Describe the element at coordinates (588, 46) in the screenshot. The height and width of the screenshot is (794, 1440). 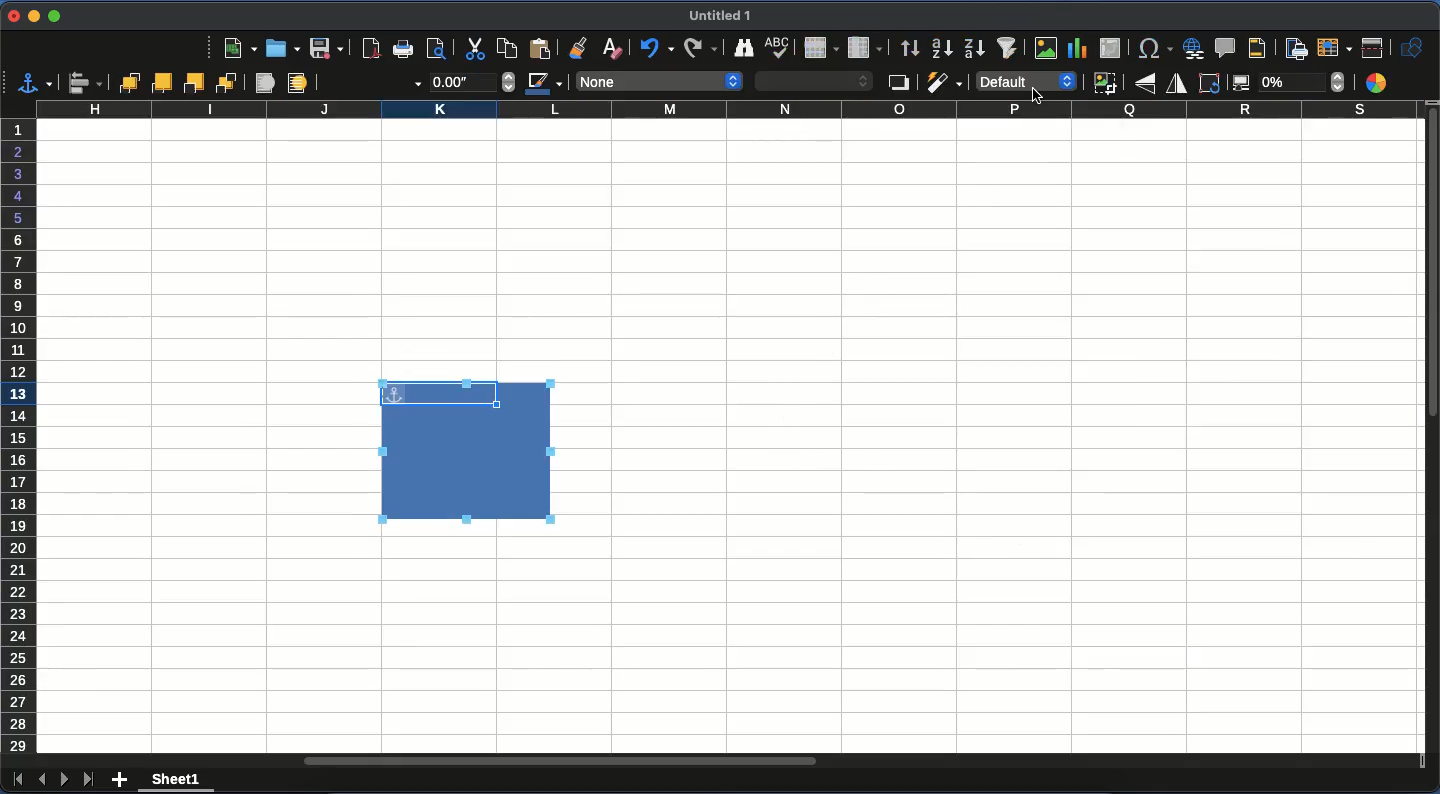
I see `clone formatting` at that location.